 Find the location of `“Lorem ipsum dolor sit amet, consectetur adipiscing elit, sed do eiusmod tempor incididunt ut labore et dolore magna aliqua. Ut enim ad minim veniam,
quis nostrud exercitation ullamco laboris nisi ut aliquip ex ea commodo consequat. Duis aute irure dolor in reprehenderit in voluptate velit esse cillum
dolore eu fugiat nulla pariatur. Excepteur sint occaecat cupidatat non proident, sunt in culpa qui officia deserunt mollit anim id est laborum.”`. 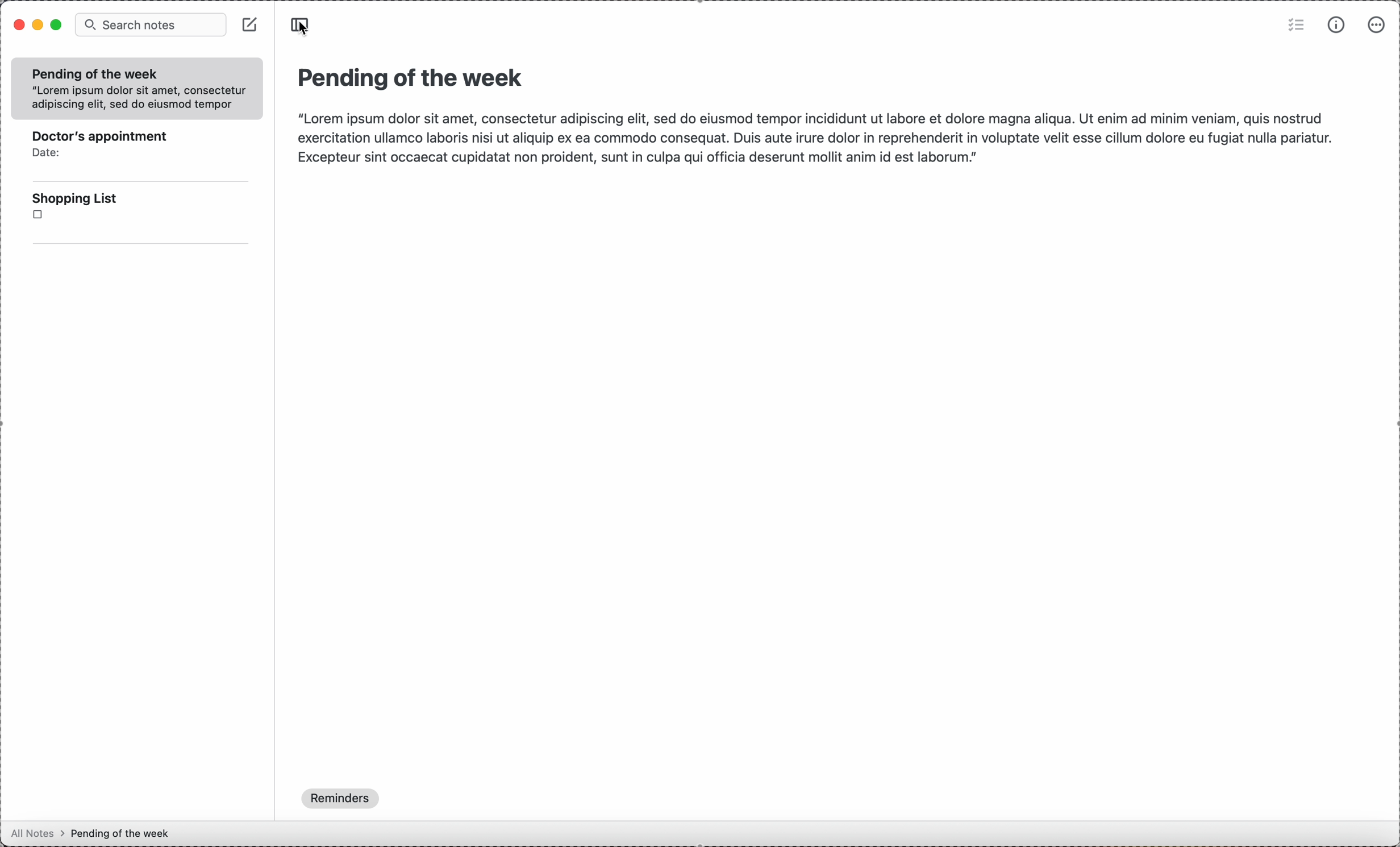

“Lorem ipsum dolor sit amet, consectetur adipiscing elit, sed do eiusmod tempor incididunt ut labore et dolore magna aliqua. Ut enim ad minim veniam,
quis nostrud exercitation ullamco laboris nisi ut aliquip ex ea commodo consequat. Duis aute irure dolor in reprehenderit in voluptate velit esse cillum
dolore eu fugiat nulla pariatur. Excepteur sint occaecat cupidatat non proident, sunt in culpa qui officia deserunt mollit anim id est laborum.” is located at coordinates (810, 138).